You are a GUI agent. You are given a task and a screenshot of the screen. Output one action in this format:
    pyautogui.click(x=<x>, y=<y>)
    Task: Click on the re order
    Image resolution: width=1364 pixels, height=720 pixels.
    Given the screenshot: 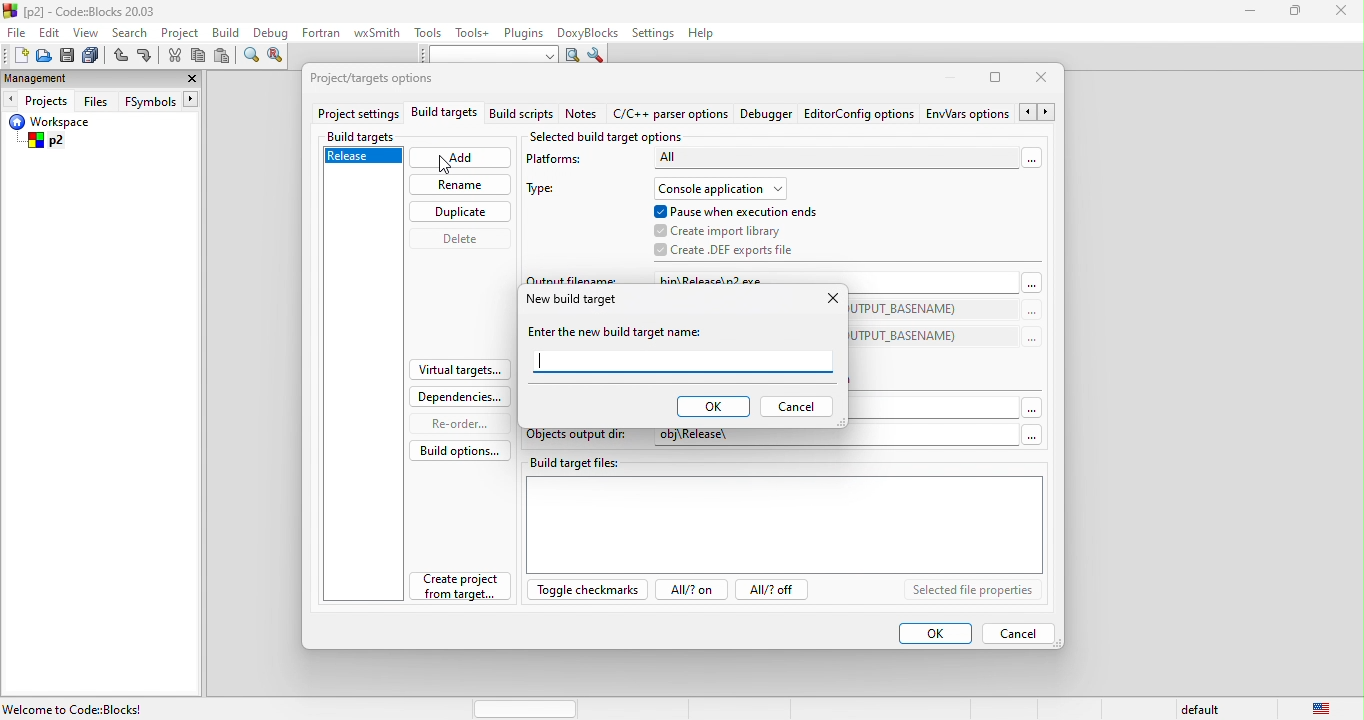 What is the action you would take?
    pyautogui.click(x=456, y=423)
    